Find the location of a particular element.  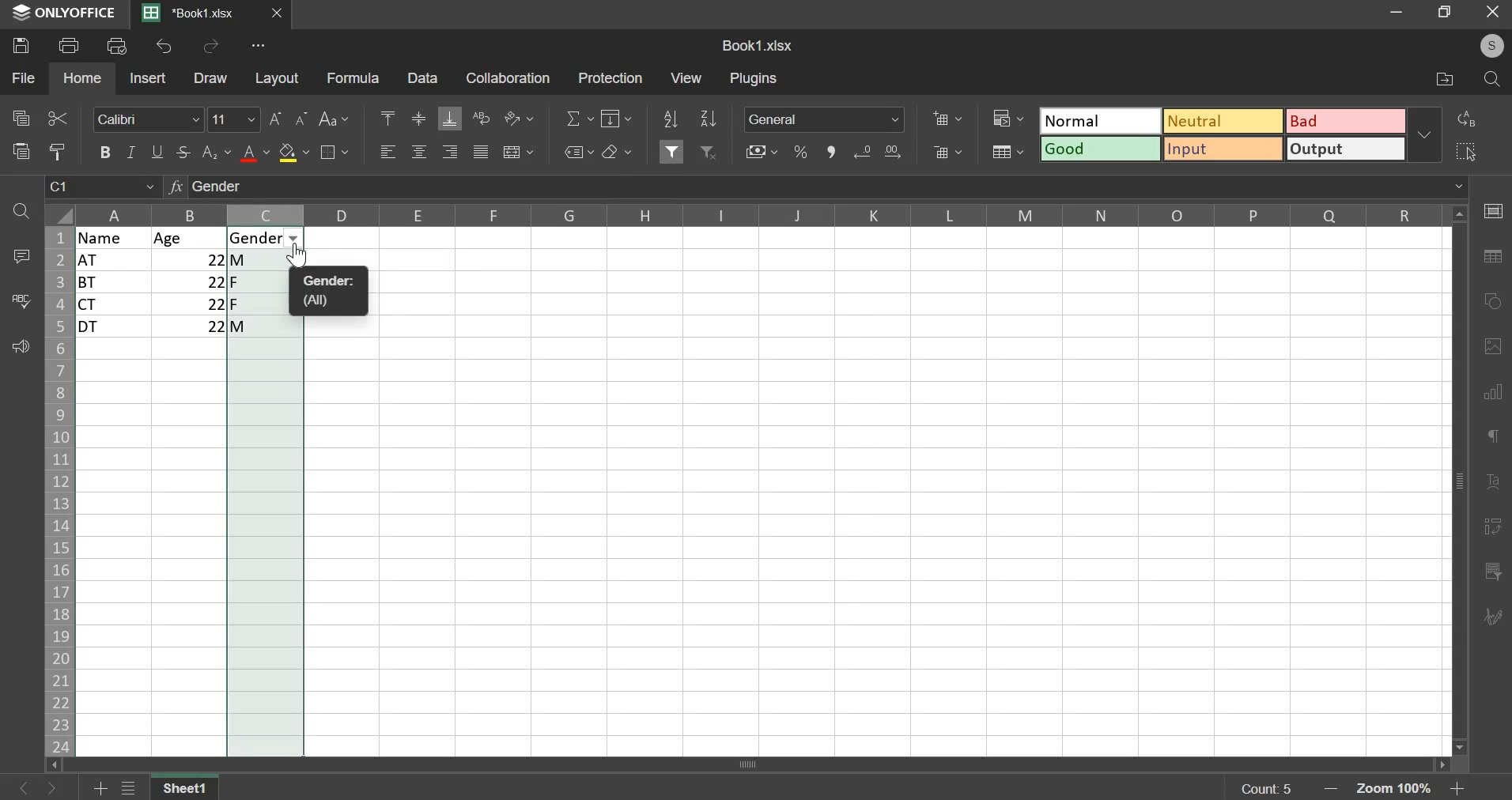

sheet 1 is located at coordinates (186, 786).